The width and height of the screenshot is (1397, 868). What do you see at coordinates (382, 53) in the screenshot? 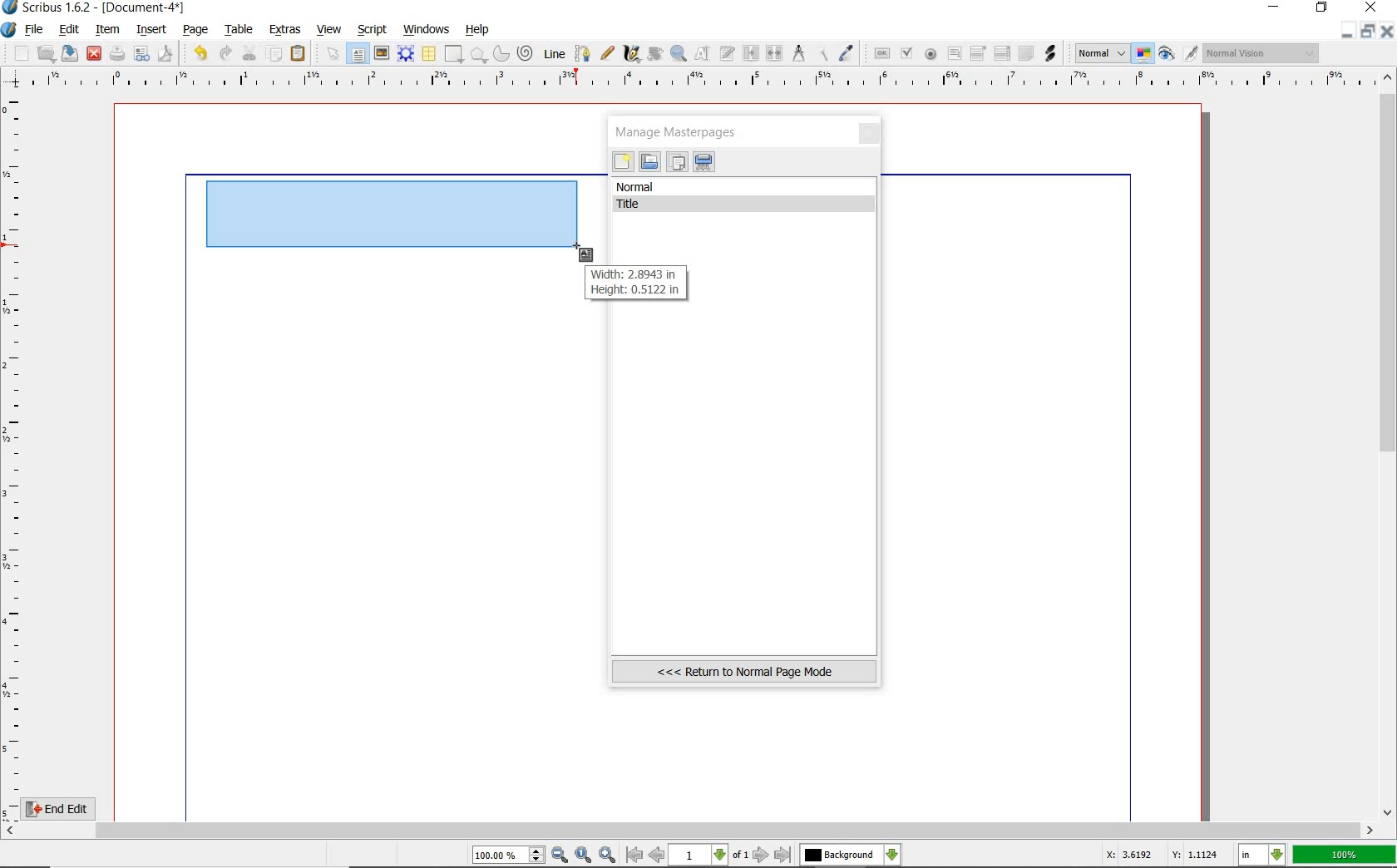
I see `image frame` at bounding box center [382, 53].